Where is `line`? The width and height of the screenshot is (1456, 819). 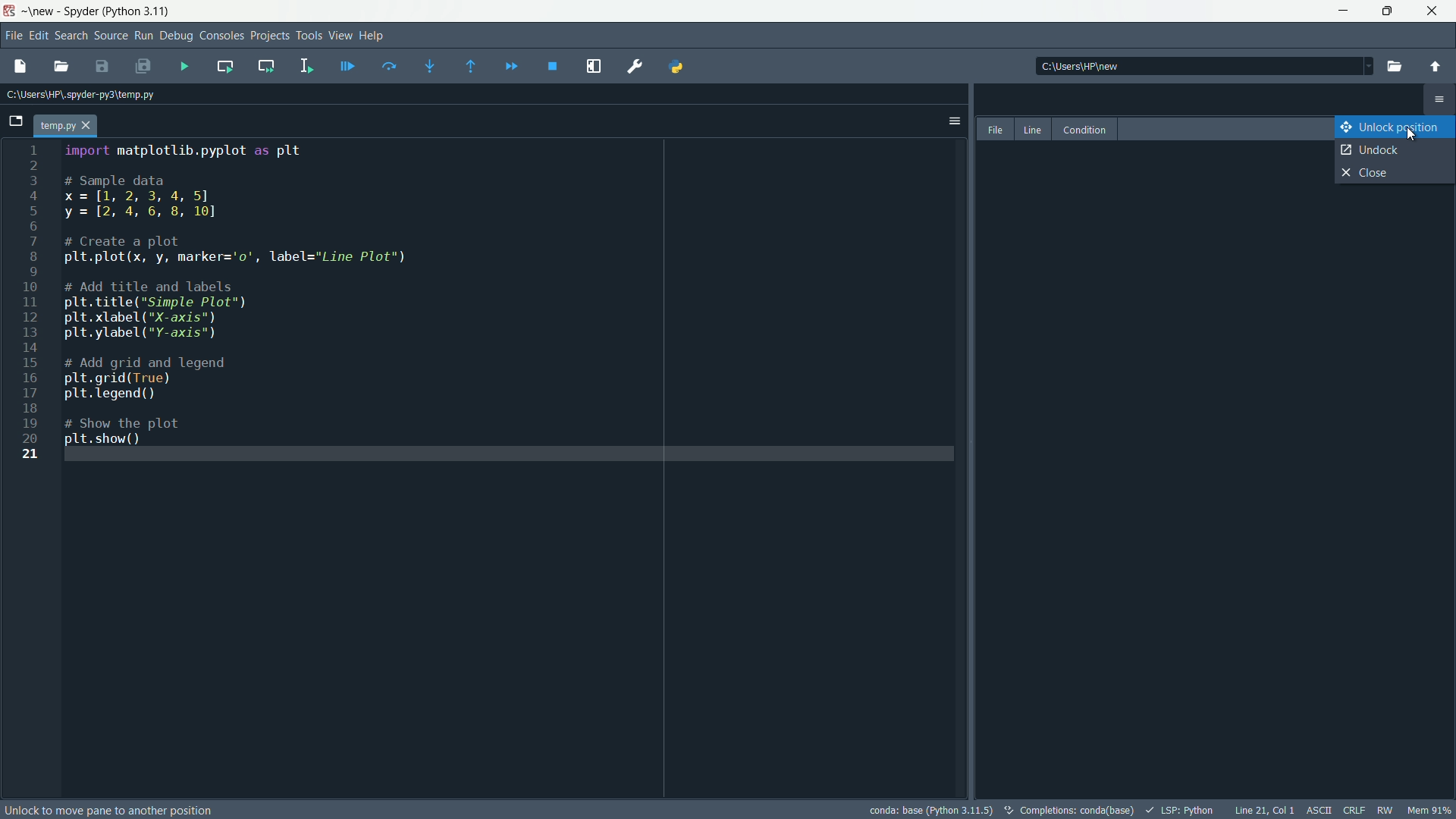
line is located at coordinates (1033, 129).